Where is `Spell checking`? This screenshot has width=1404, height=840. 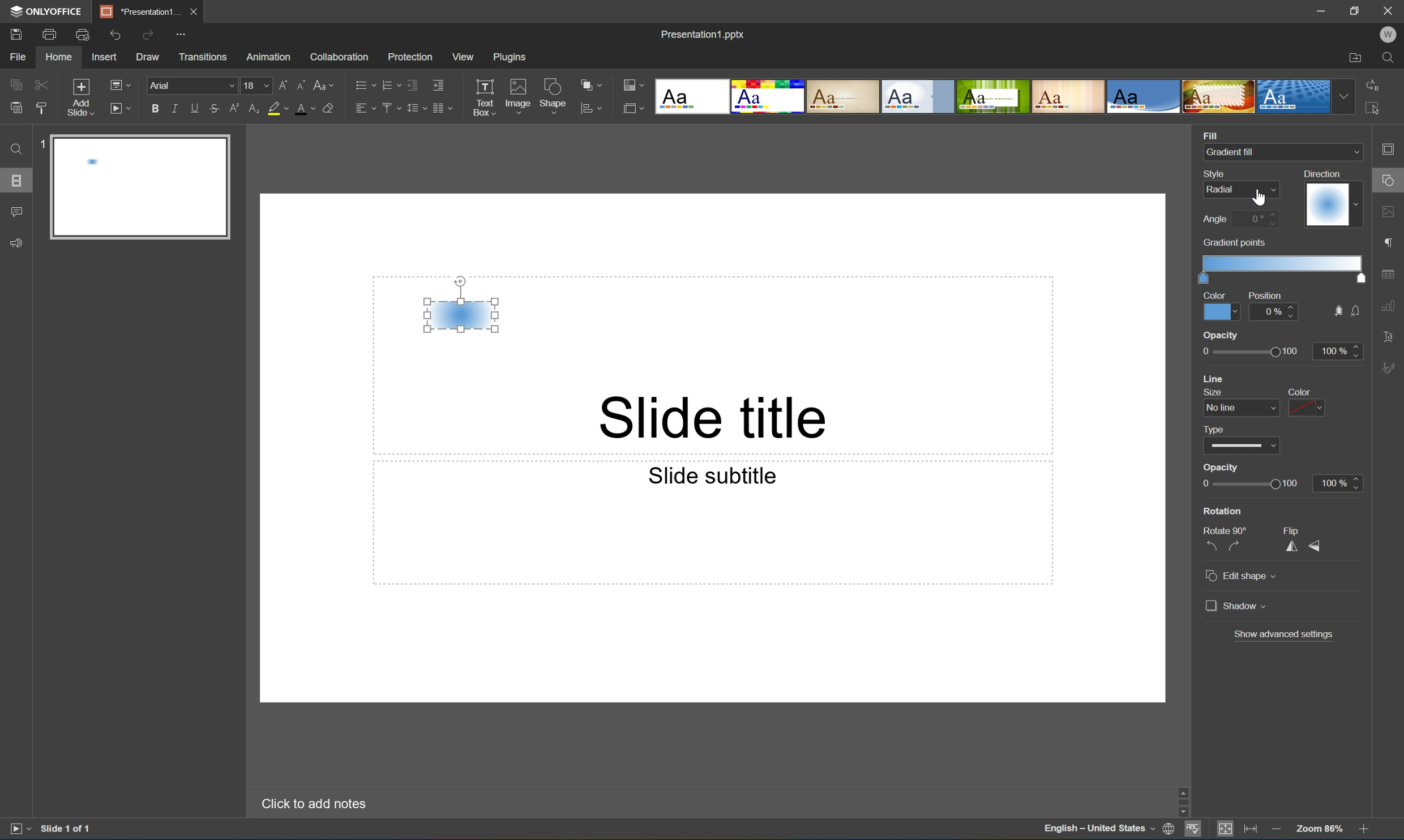
Spell checking is located at coordinates (1193, 830).